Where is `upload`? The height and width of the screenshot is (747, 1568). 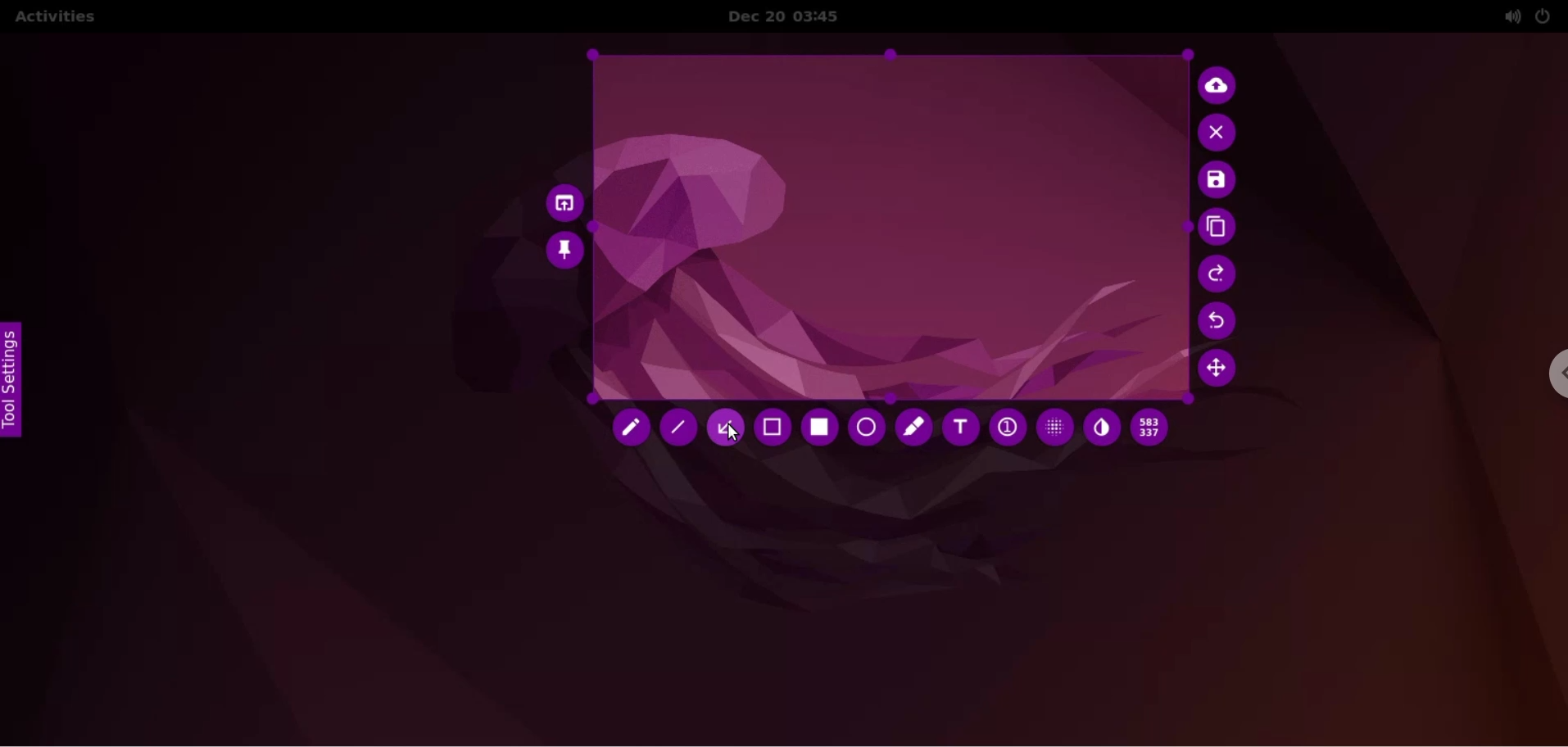
upload is located at coordinates (1221, 84).